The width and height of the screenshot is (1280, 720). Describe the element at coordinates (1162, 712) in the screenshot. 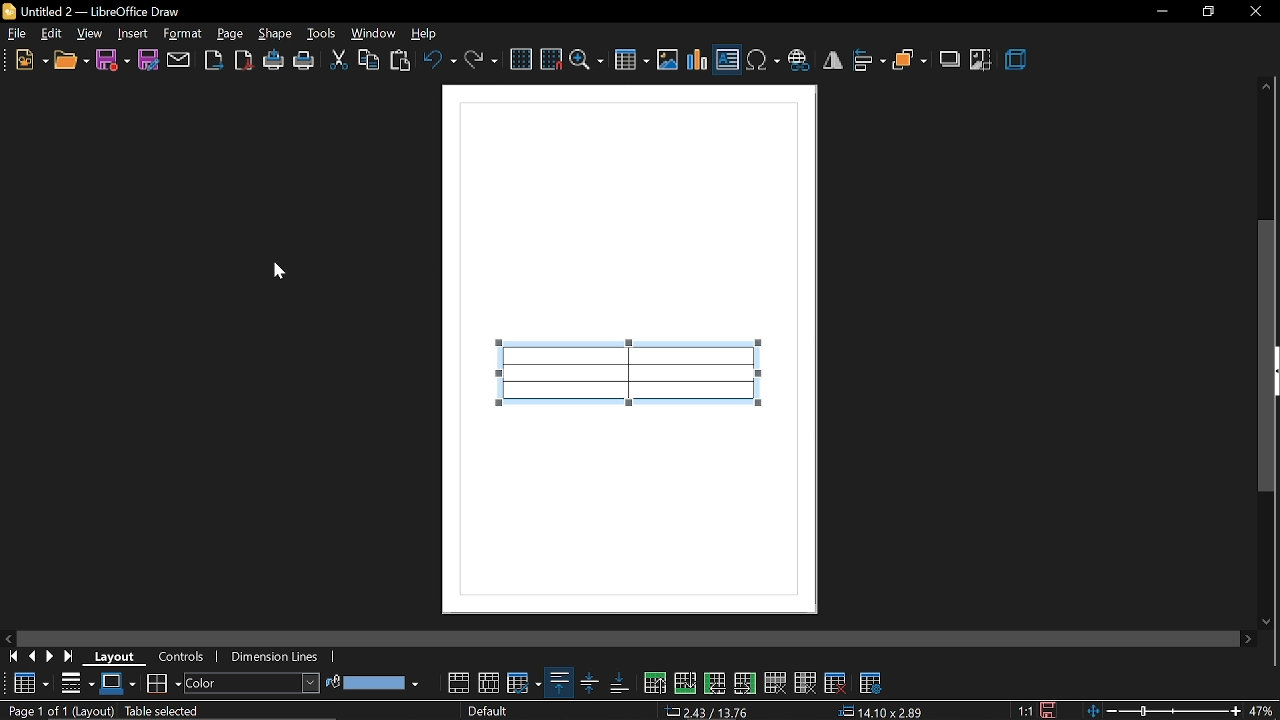

I see `zoom change` at that location.